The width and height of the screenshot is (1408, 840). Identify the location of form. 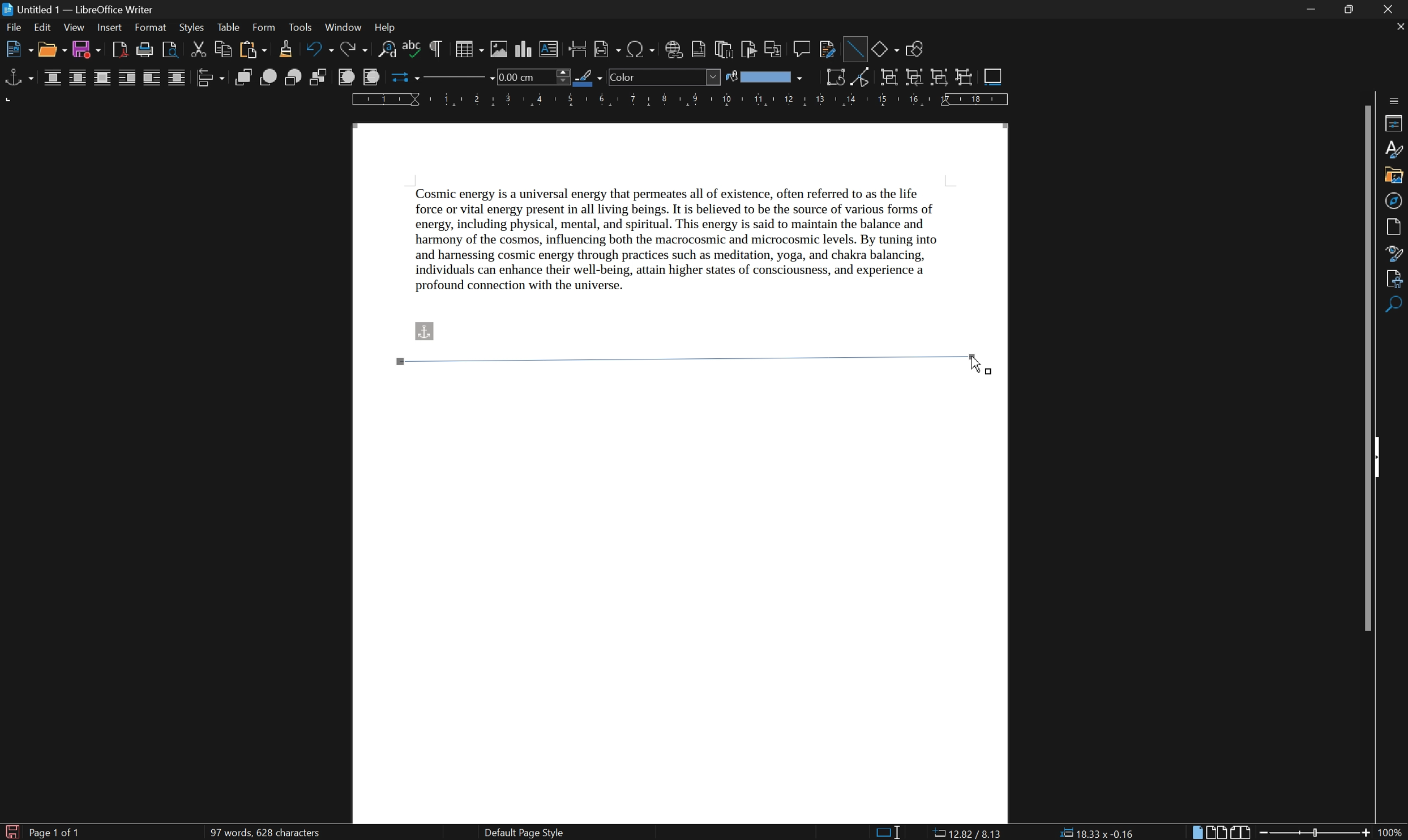
(265, 27).